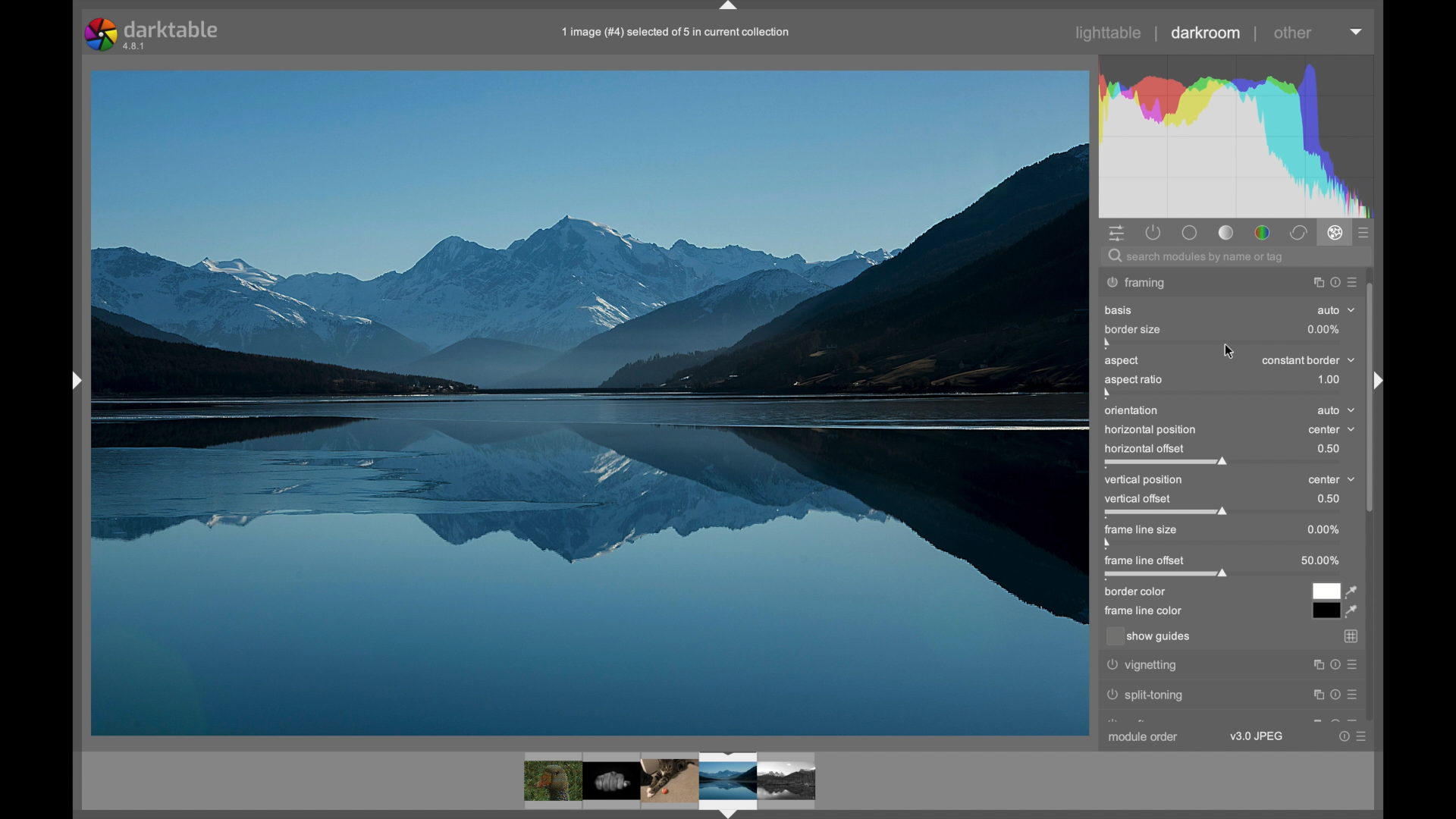  I want to click on more options, so click(1335, 281).